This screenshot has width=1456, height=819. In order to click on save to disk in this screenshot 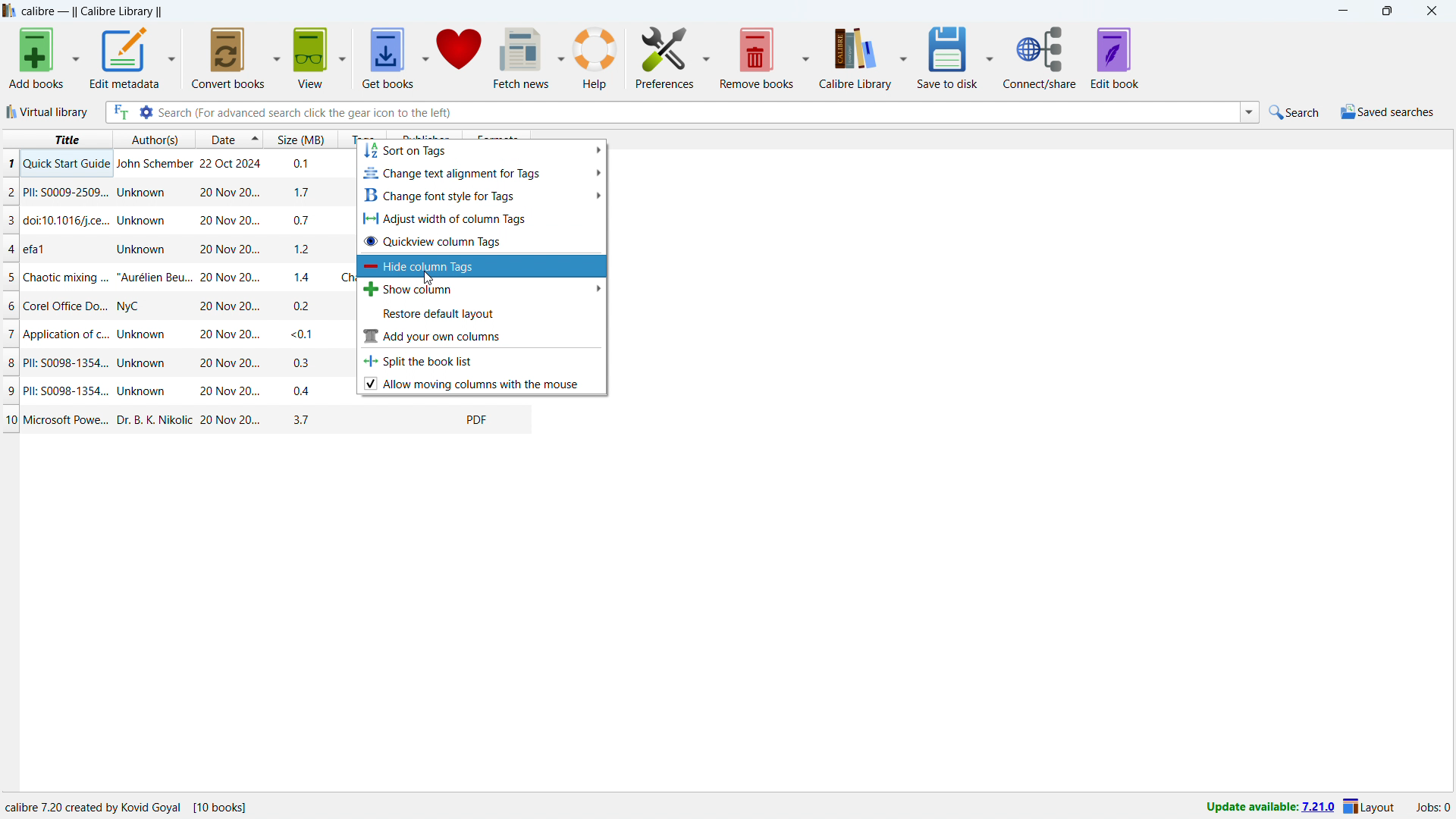, I will do `click(948, 57)`.